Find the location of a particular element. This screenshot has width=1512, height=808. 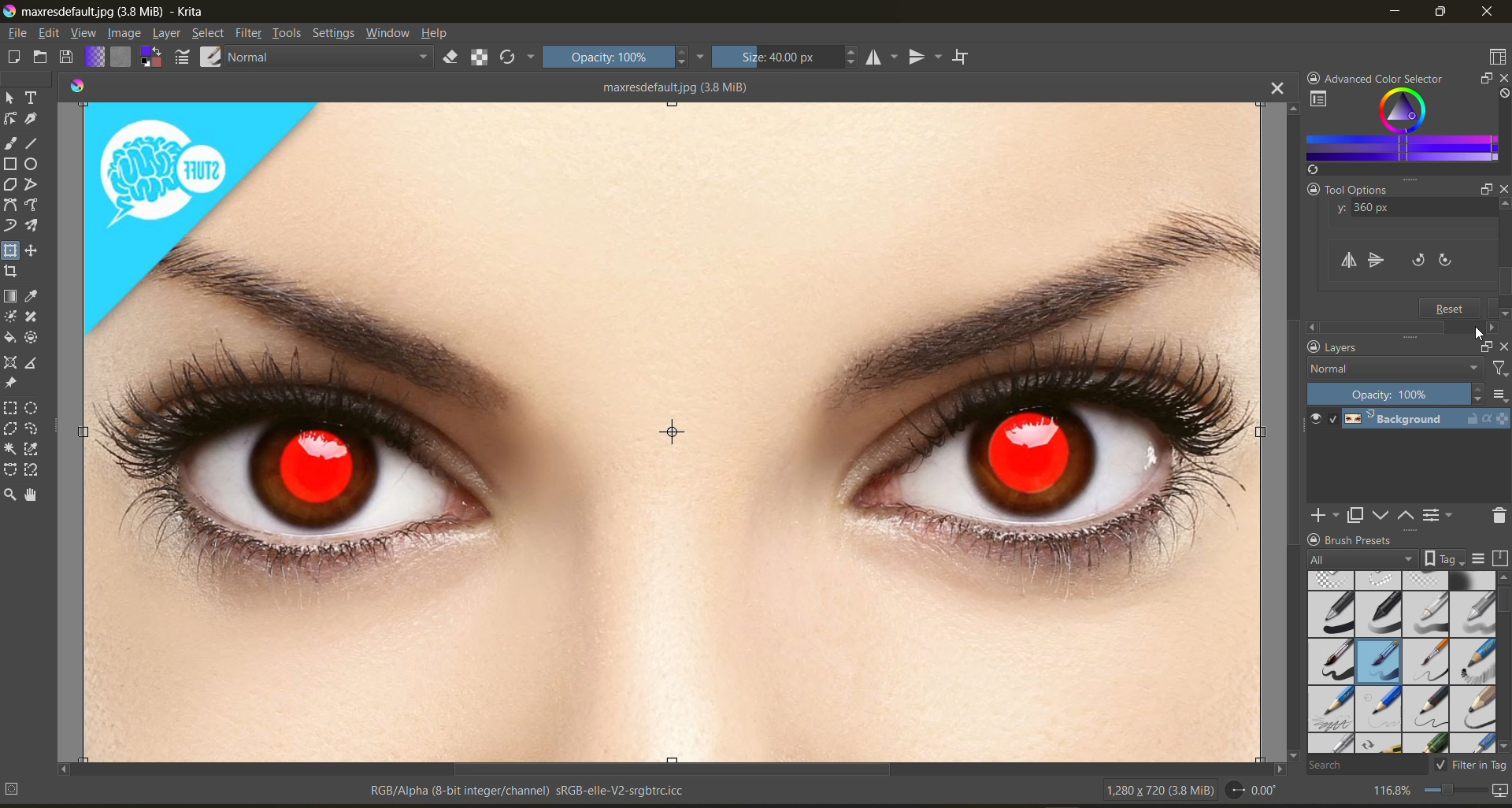

image metadata is located at coordinates (1157, 793).